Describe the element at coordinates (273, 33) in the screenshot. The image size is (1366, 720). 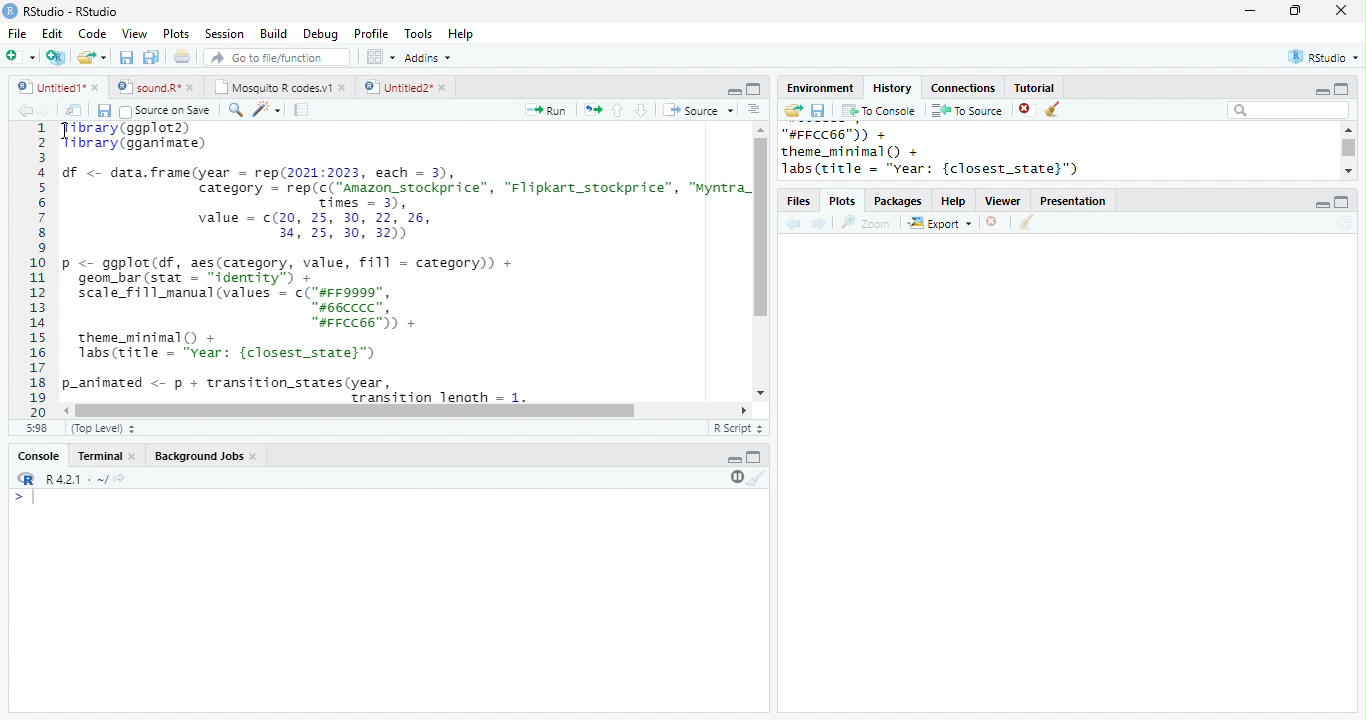
I see `Build` at that location.